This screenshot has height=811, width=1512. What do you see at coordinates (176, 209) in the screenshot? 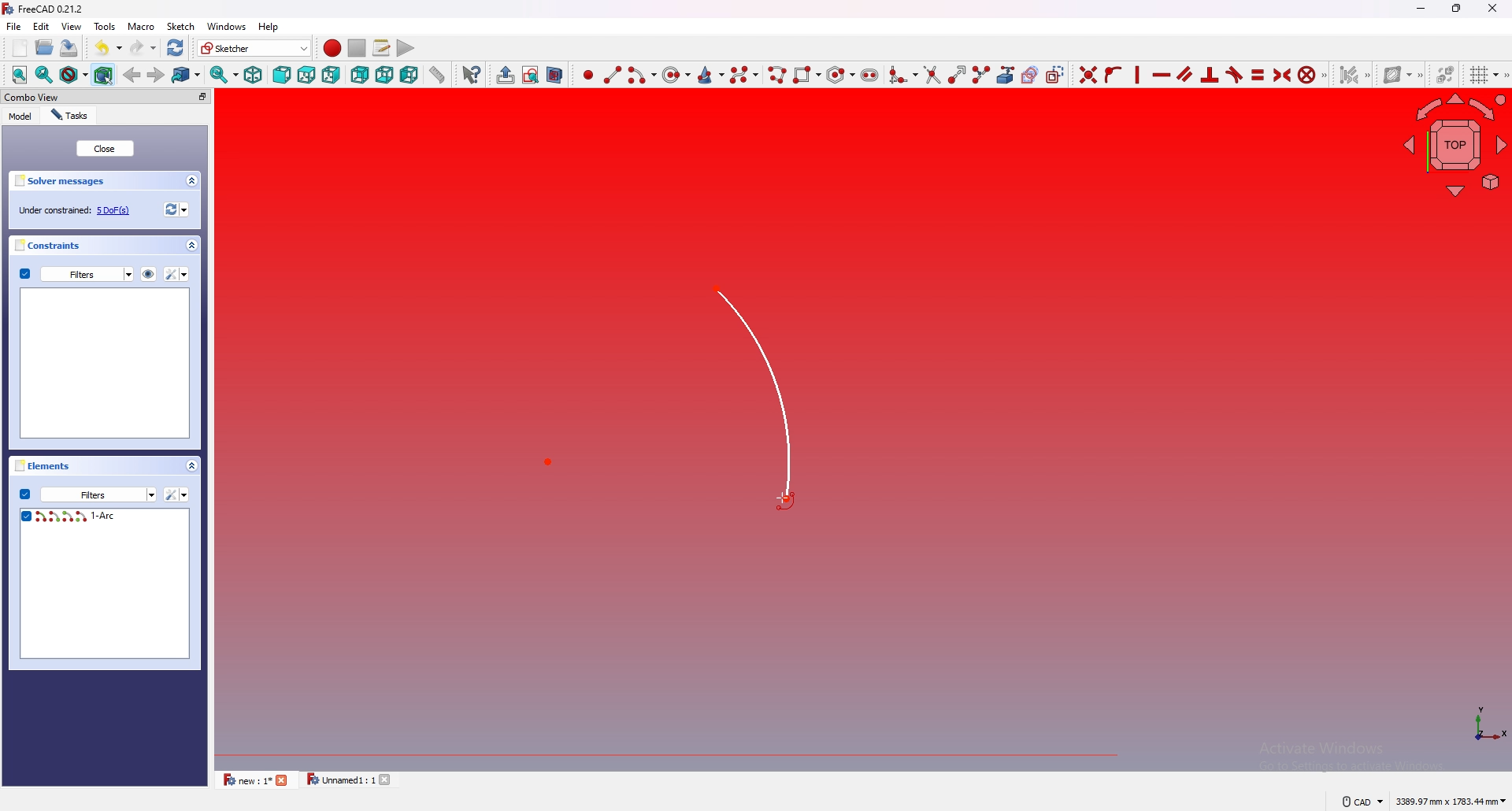
I see `recomputation of active document` at bounding box center [176, 209].